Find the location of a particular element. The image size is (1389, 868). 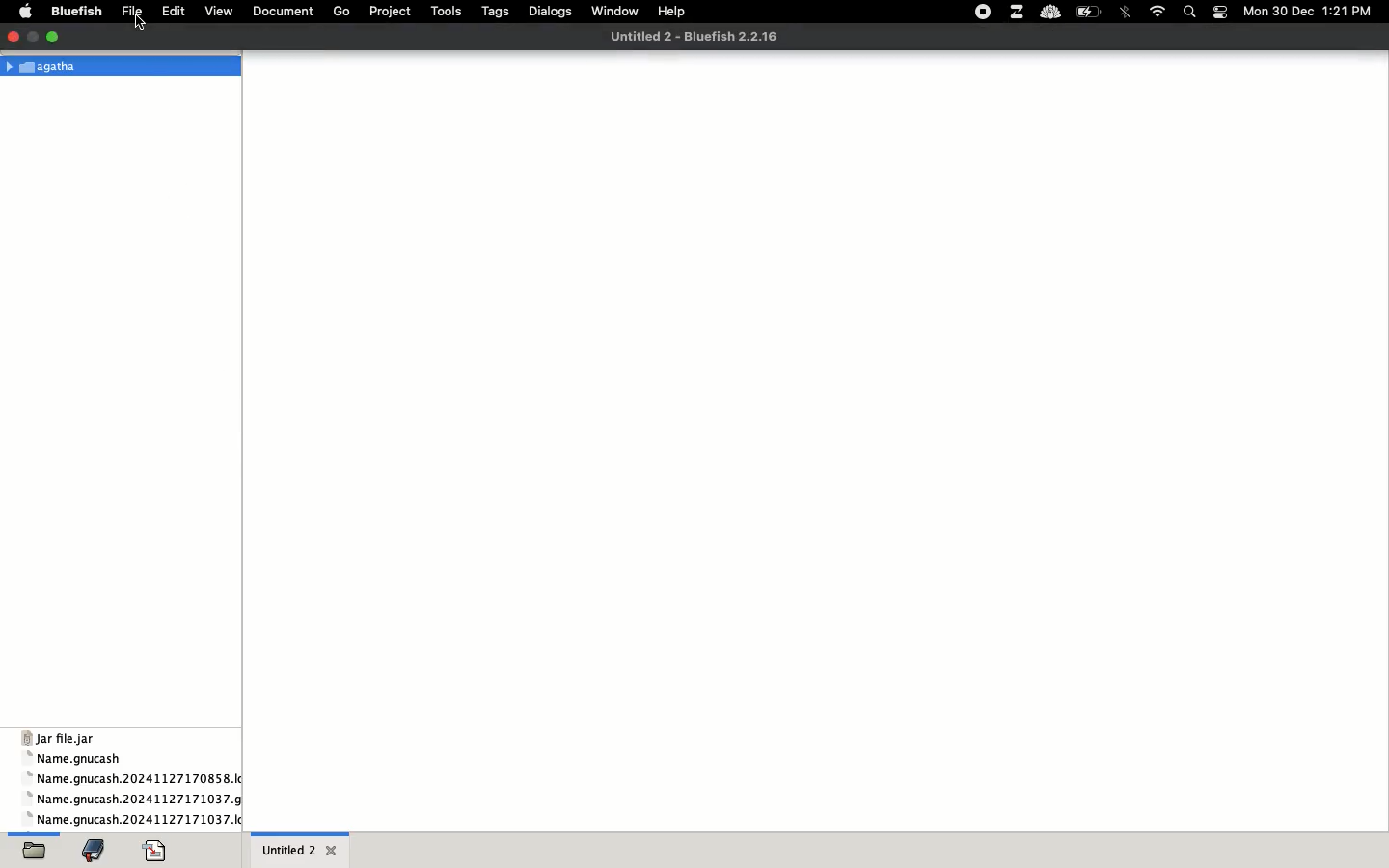

file name and app name is located at coordinates (817, 38).